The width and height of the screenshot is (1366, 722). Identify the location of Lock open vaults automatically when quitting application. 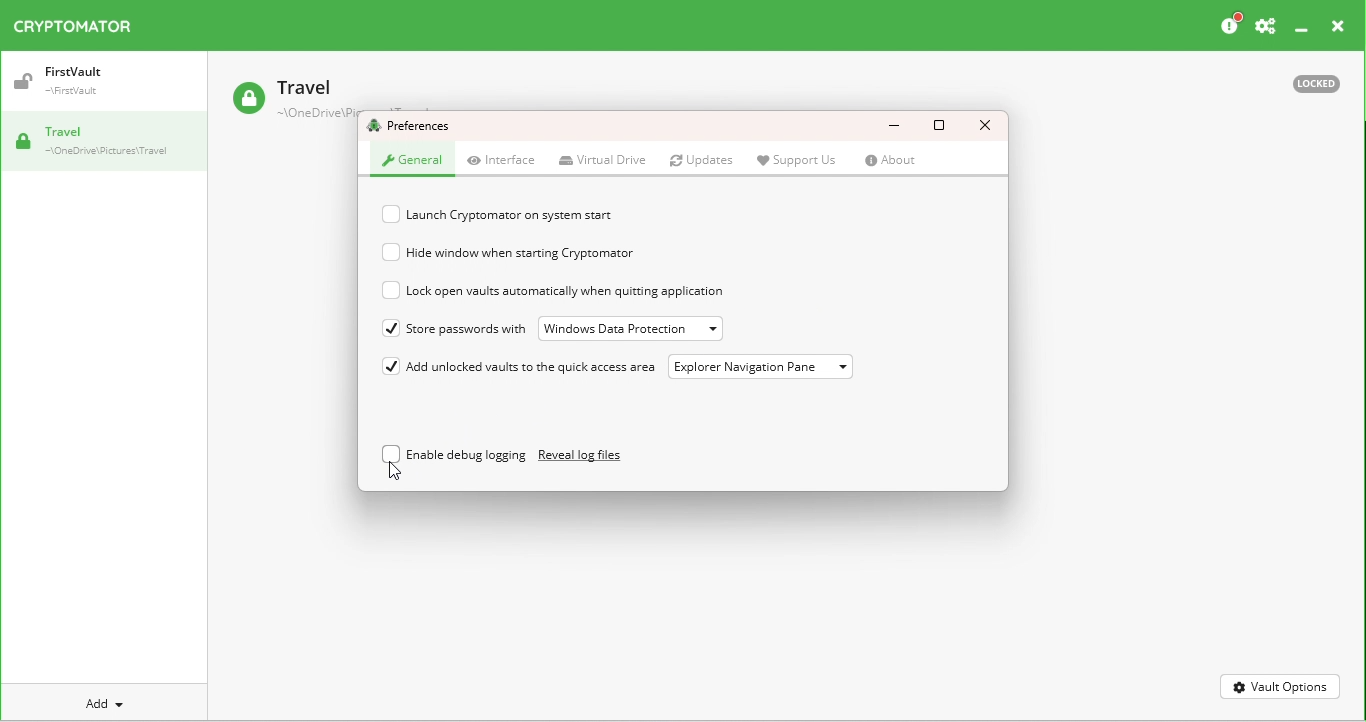
(576, 291).